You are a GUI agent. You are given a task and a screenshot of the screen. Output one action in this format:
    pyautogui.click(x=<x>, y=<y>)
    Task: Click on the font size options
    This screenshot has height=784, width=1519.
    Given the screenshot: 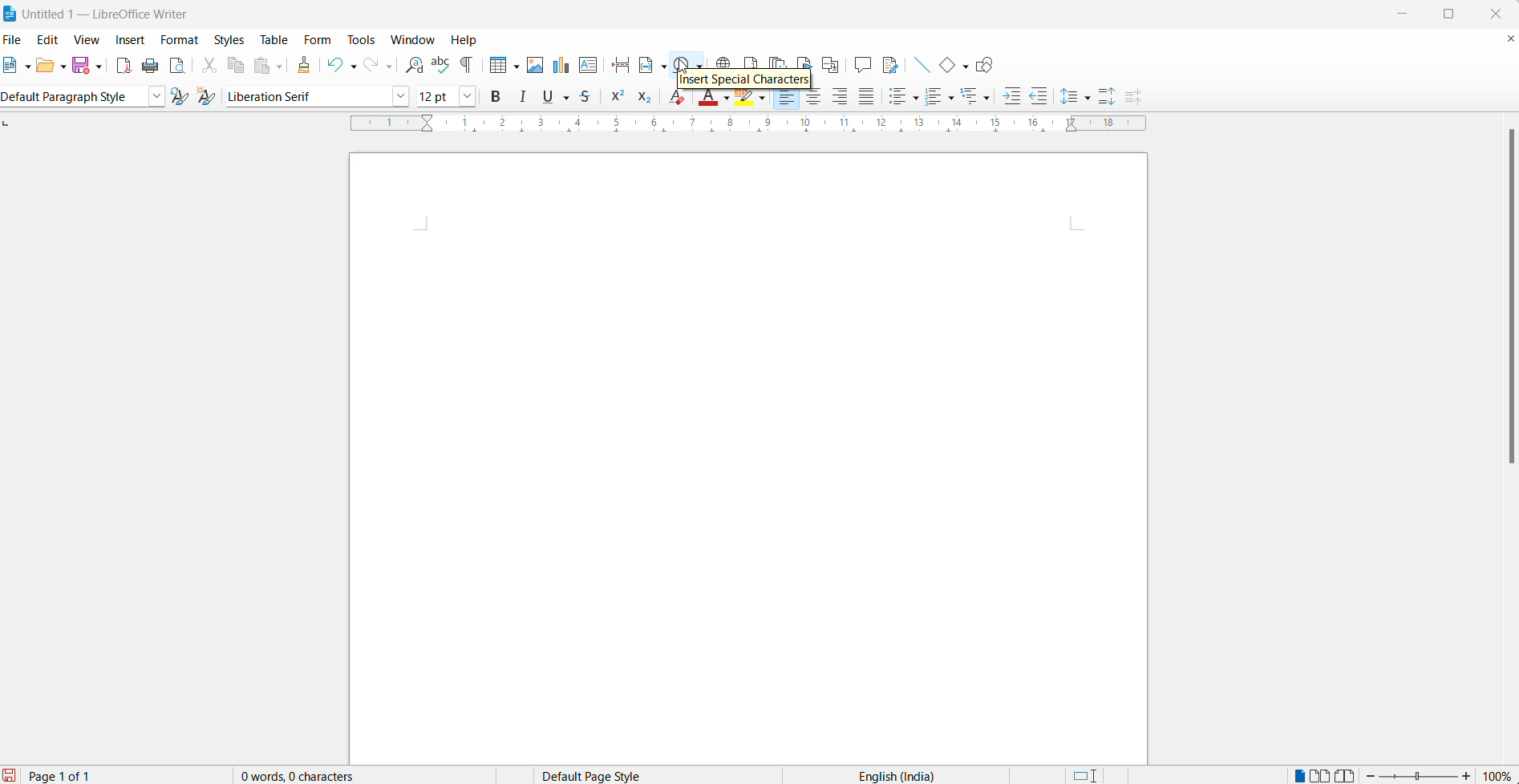 What is the action you would take?
    pyautogui.click(x=468, y=96)
    